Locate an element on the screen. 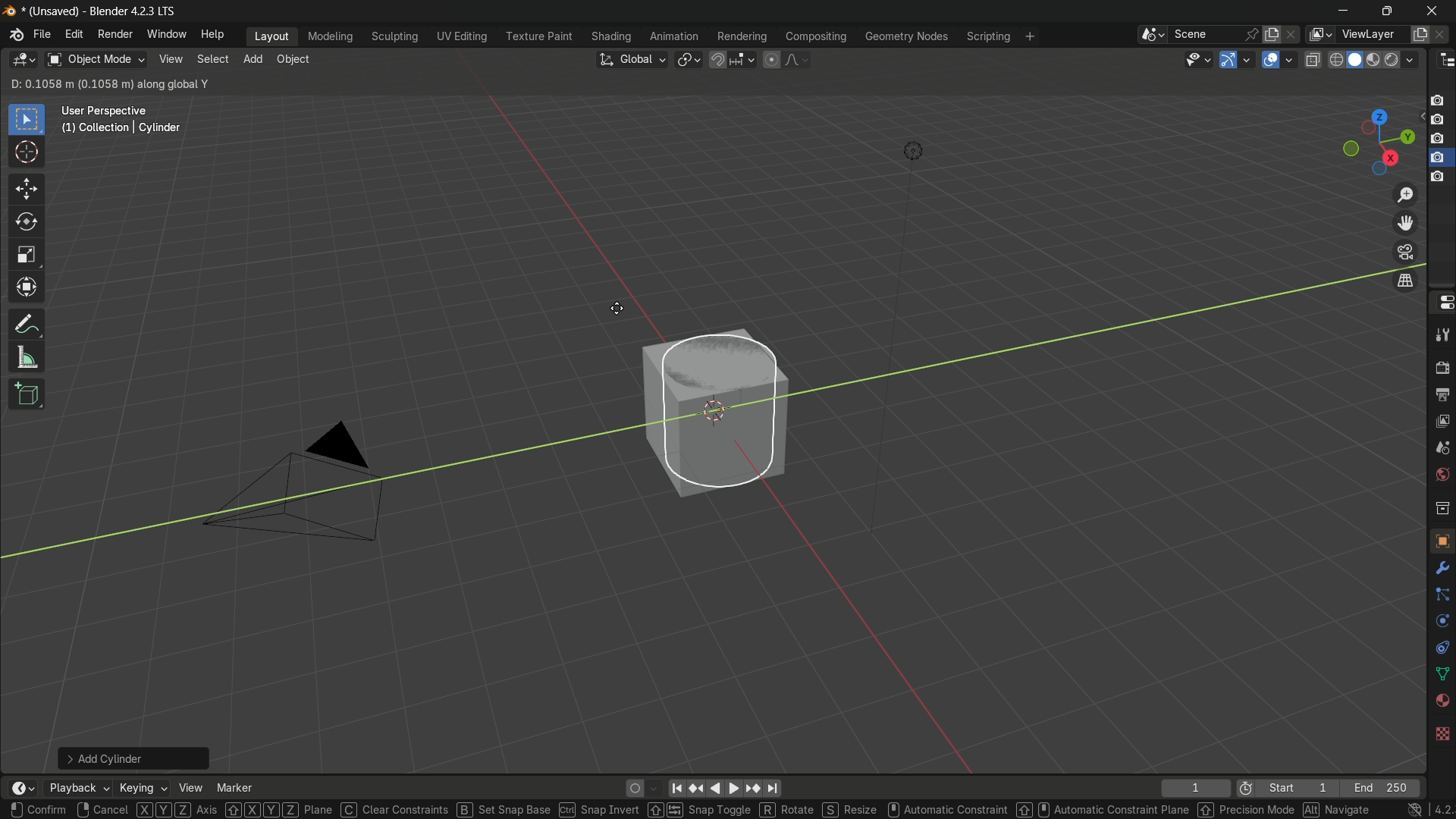  help menu is located at coordinates (214, 35).